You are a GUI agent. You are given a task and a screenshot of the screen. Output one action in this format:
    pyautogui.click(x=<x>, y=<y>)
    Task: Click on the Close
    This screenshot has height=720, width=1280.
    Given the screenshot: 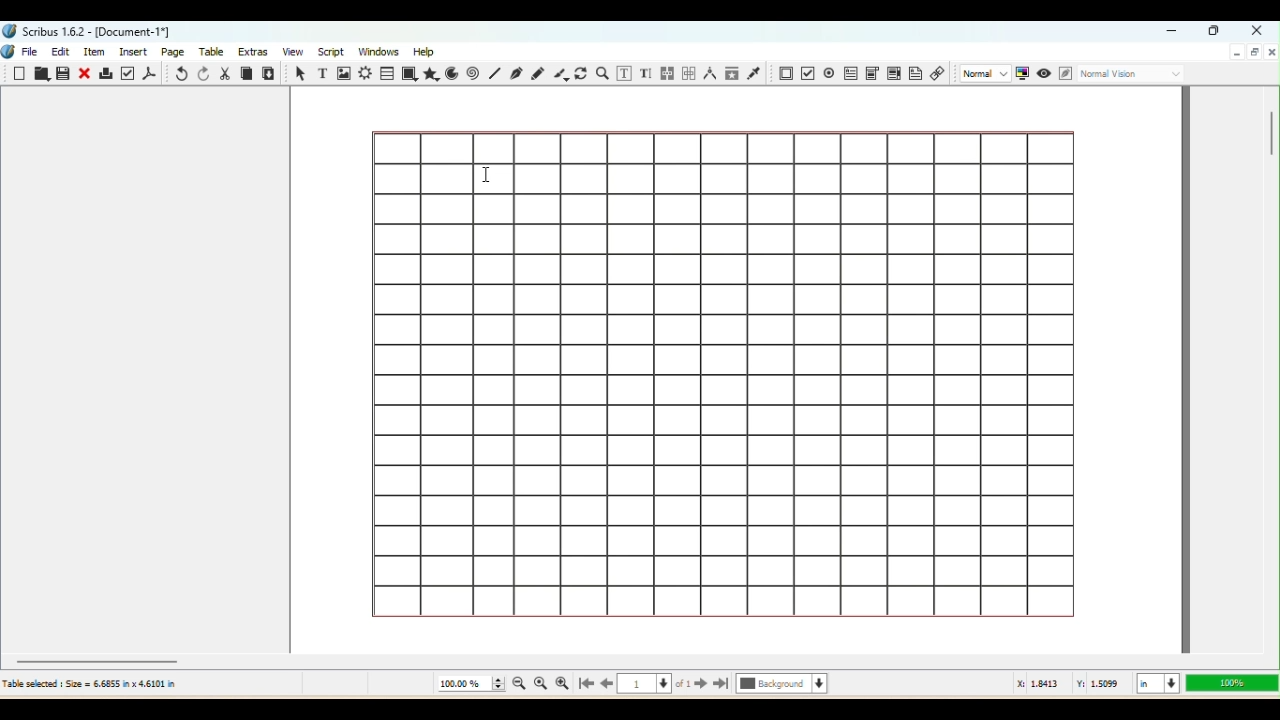 What is the action you would take?
    pyautogui.click(x=86, y=73)
    